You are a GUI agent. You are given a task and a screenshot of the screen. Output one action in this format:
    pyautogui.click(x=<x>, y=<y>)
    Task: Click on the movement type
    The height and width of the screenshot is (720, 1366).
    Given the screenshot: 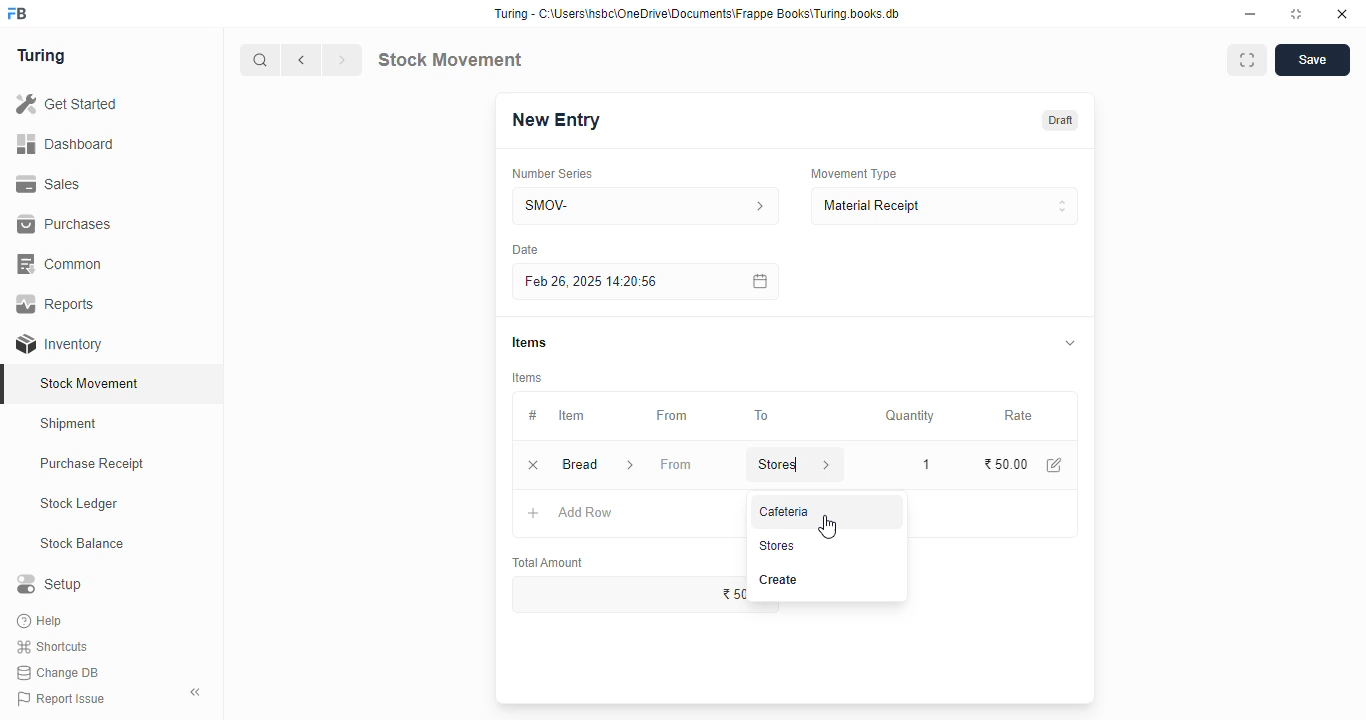 What is the action you would take?
    pyautogui.click(x=853, y=173)
    